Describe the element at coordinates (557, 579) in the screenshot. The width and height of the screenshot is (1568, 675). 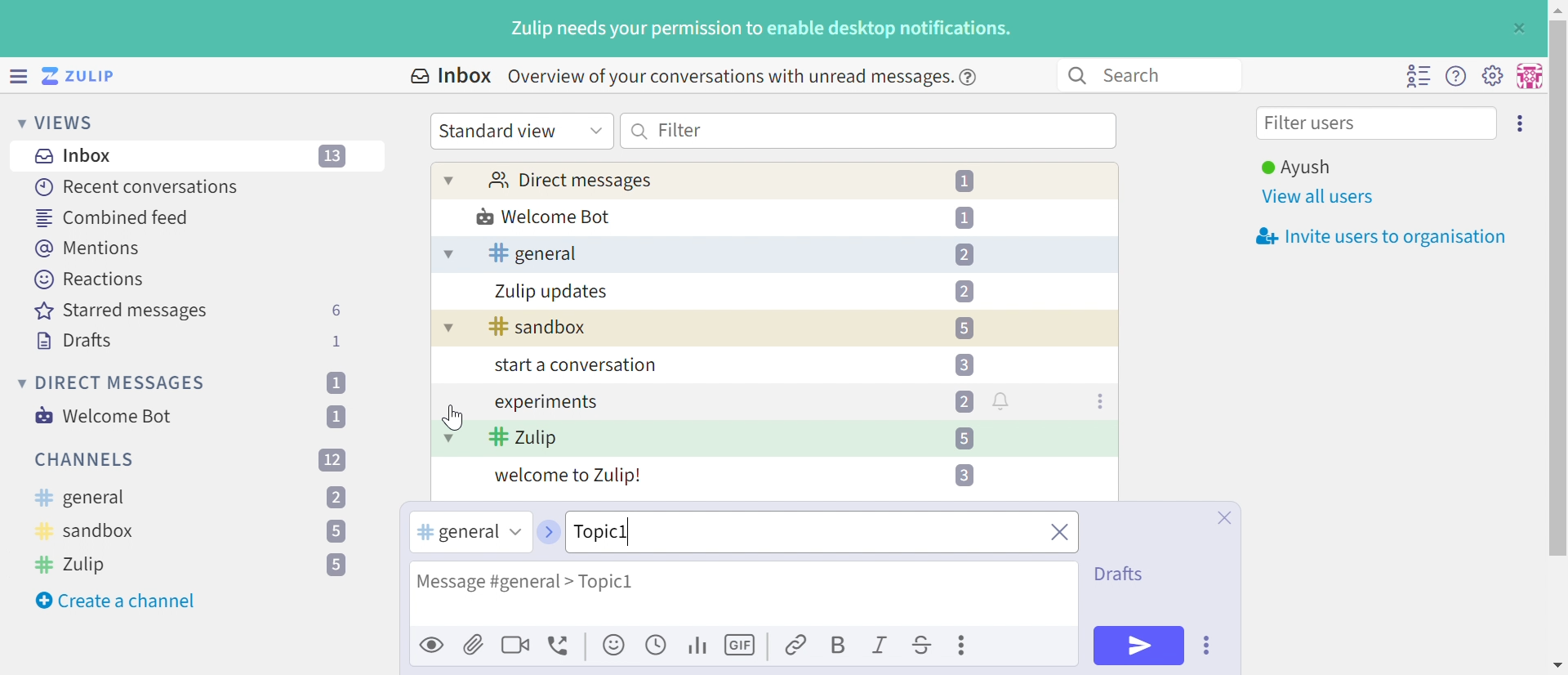
I see `message:#general>Topic1` at that location.